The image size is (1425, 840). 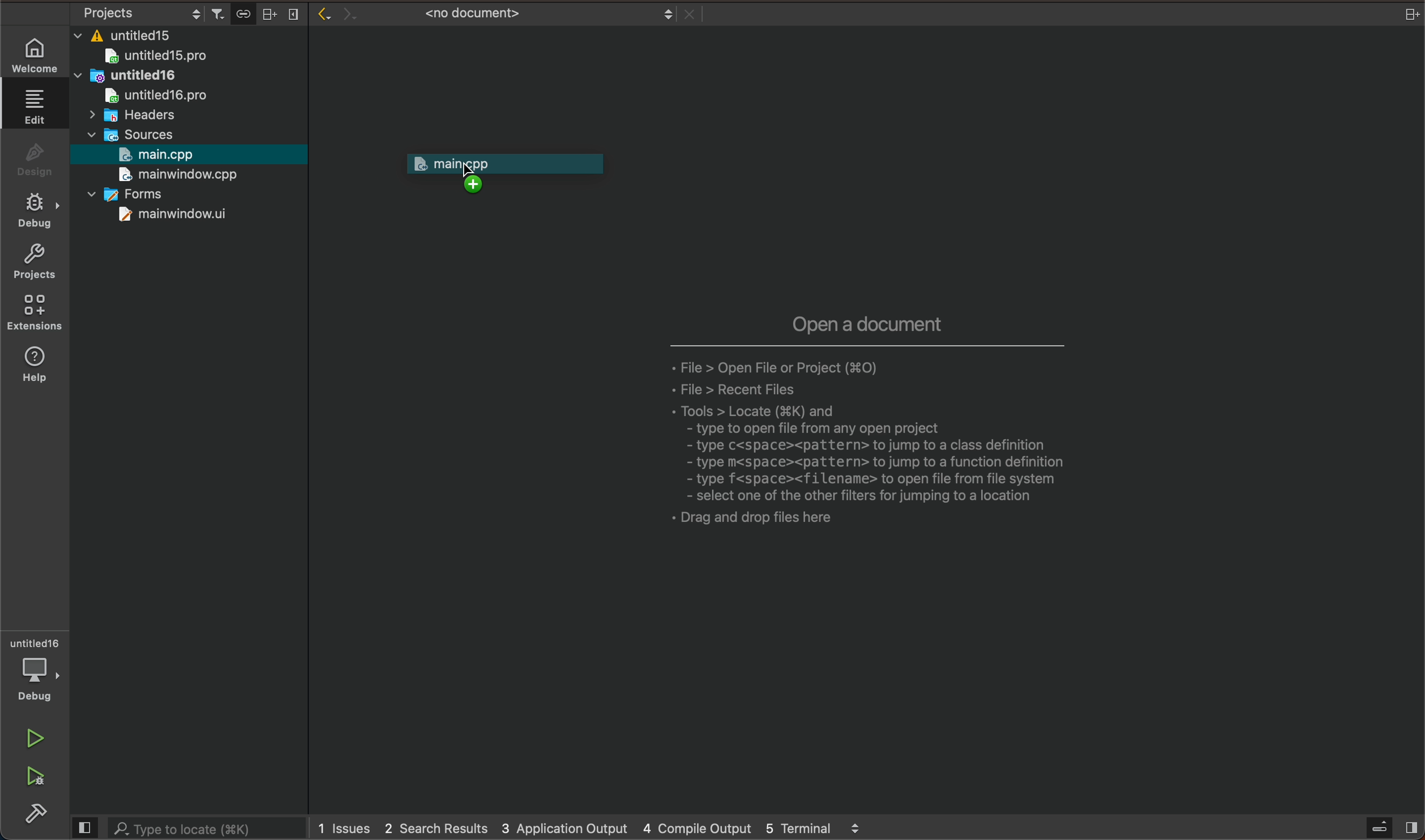 I want to click on build, so click(x=29, y=813).